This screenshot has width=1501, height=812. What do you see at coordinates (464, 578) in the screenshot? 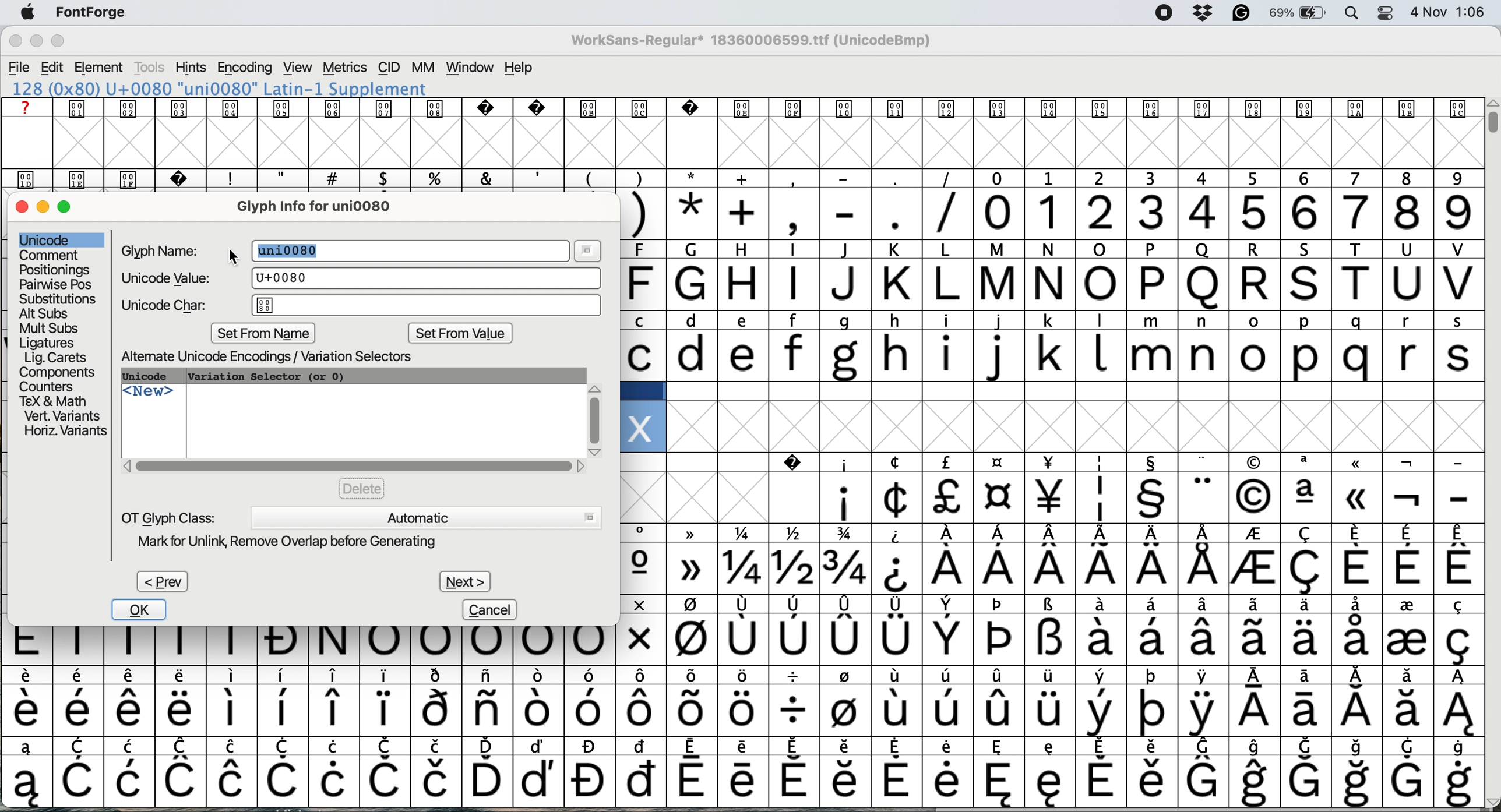
I see `next` at bounding box center [464, 578].